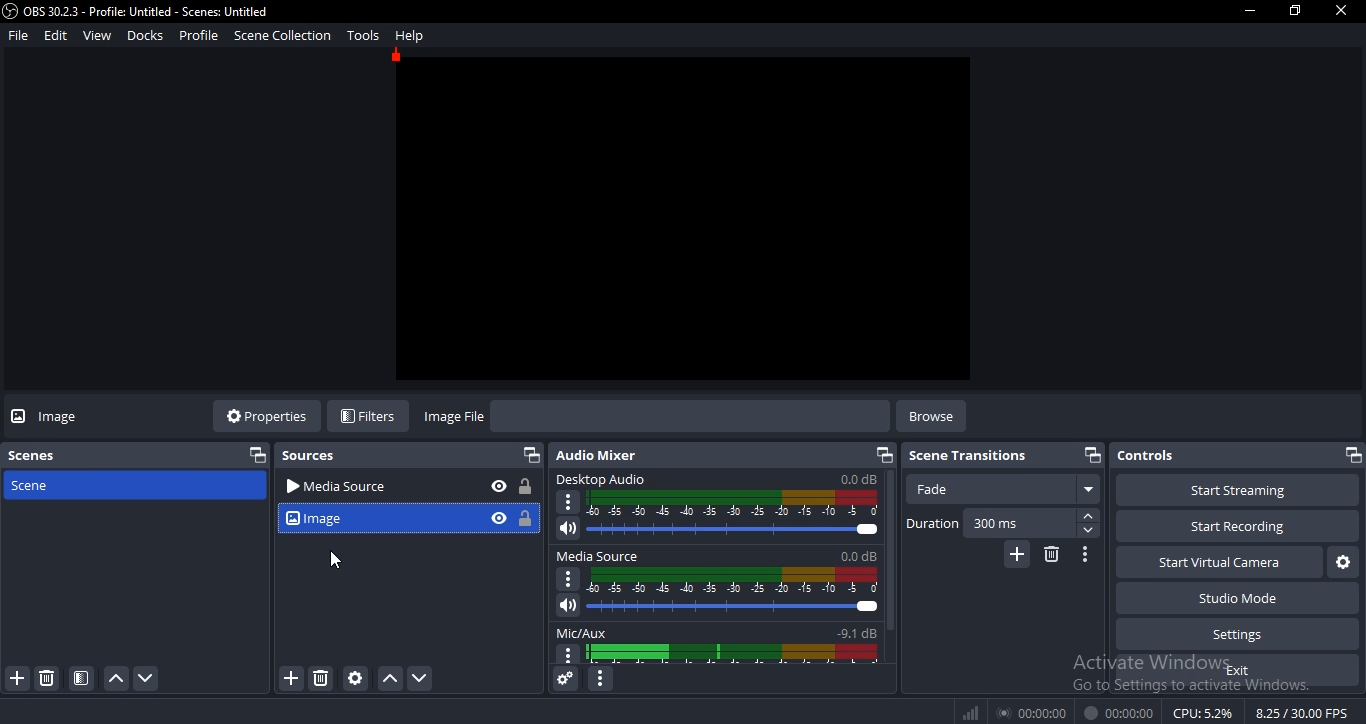  I want to click on desktop audio, so click(718, 479).